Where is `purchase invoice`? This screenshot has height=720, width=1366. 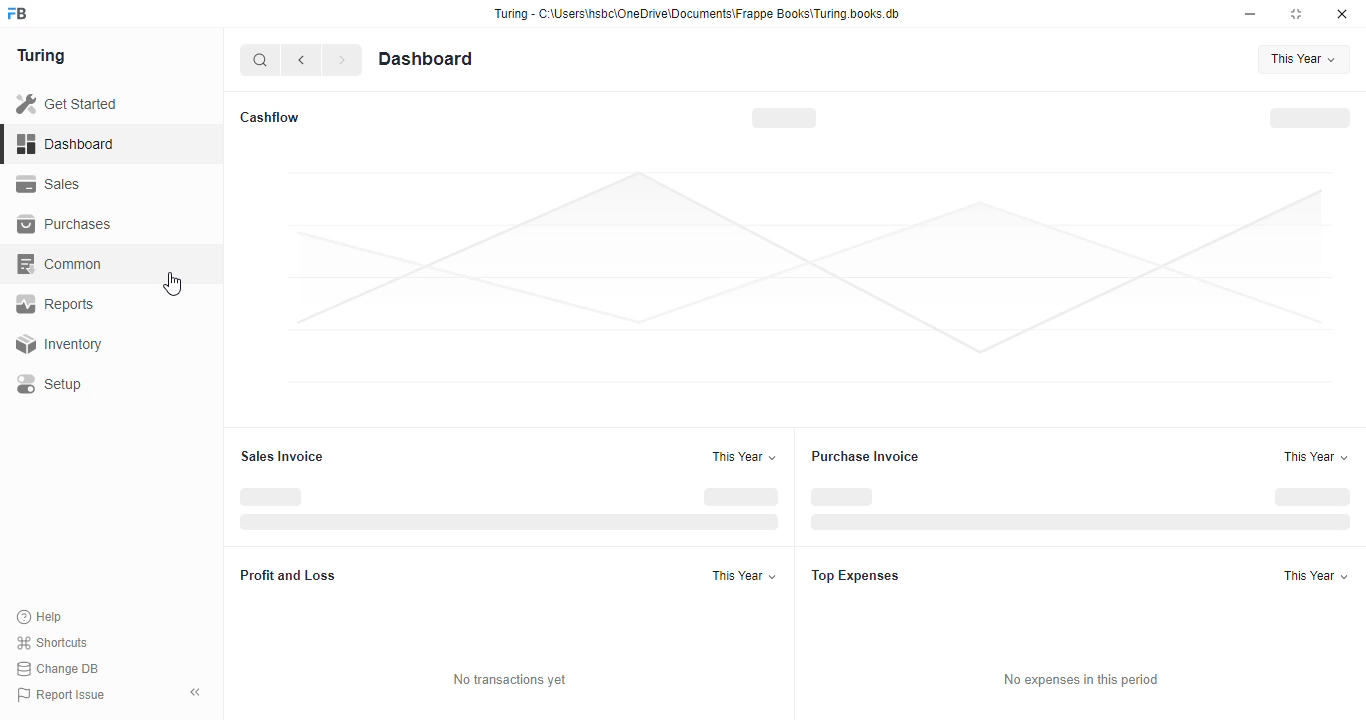
purchase invoice is located at coordinates (865, 456).